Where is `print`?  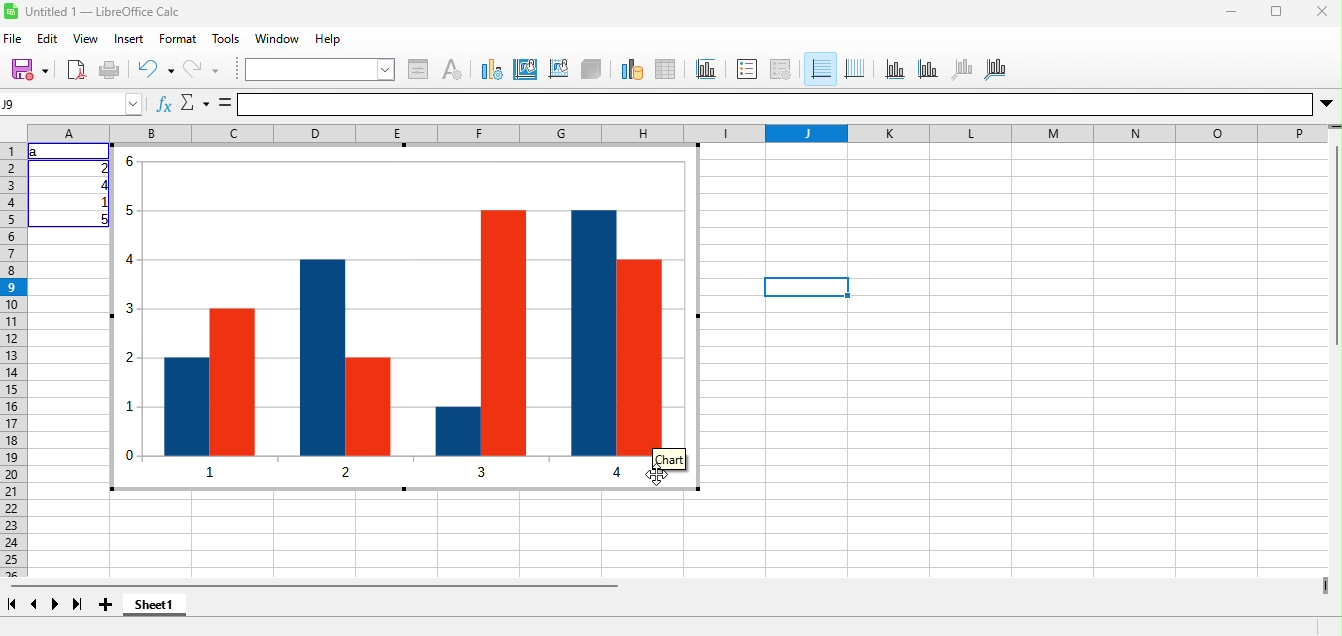 print is located at coordinates (110, 71).